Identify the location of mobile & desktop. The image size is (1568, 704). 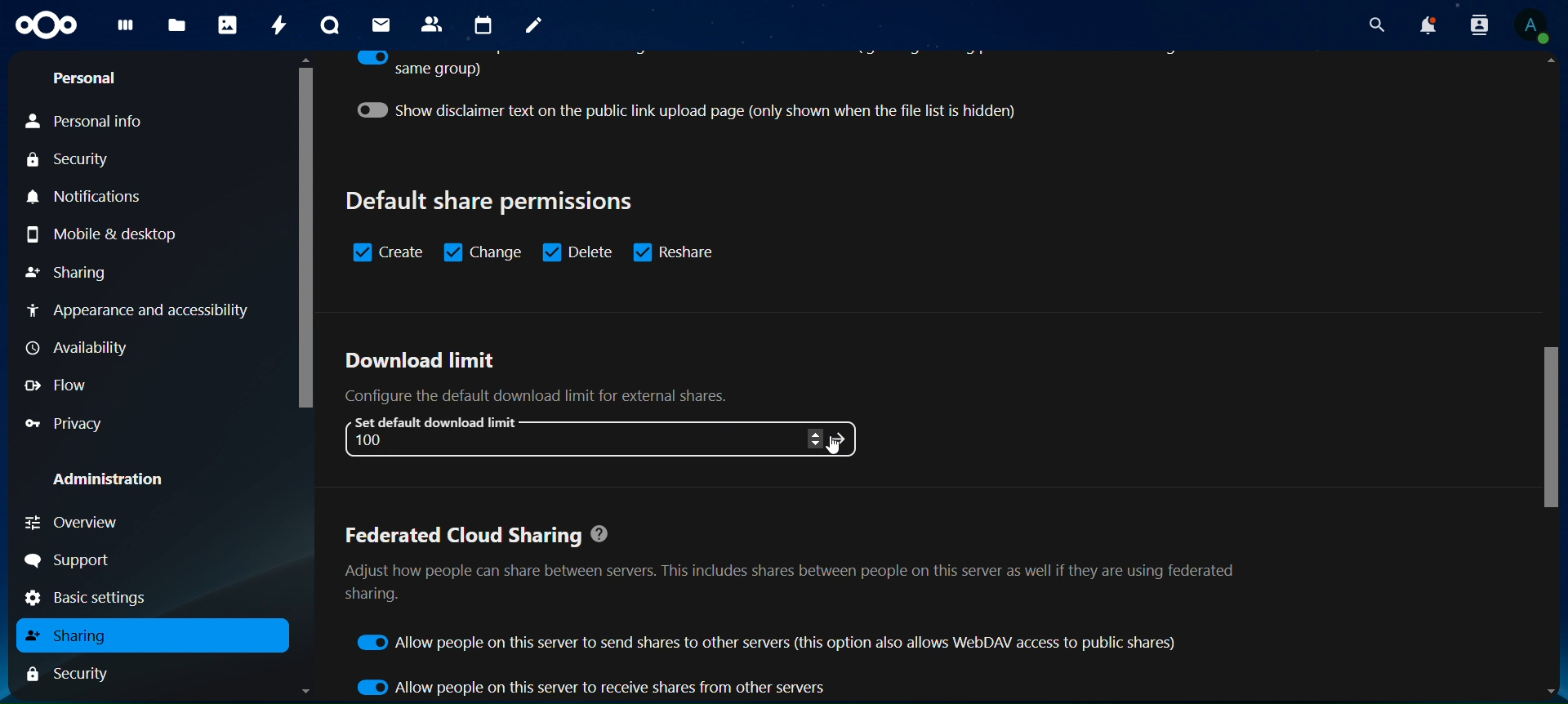
(99, 234).